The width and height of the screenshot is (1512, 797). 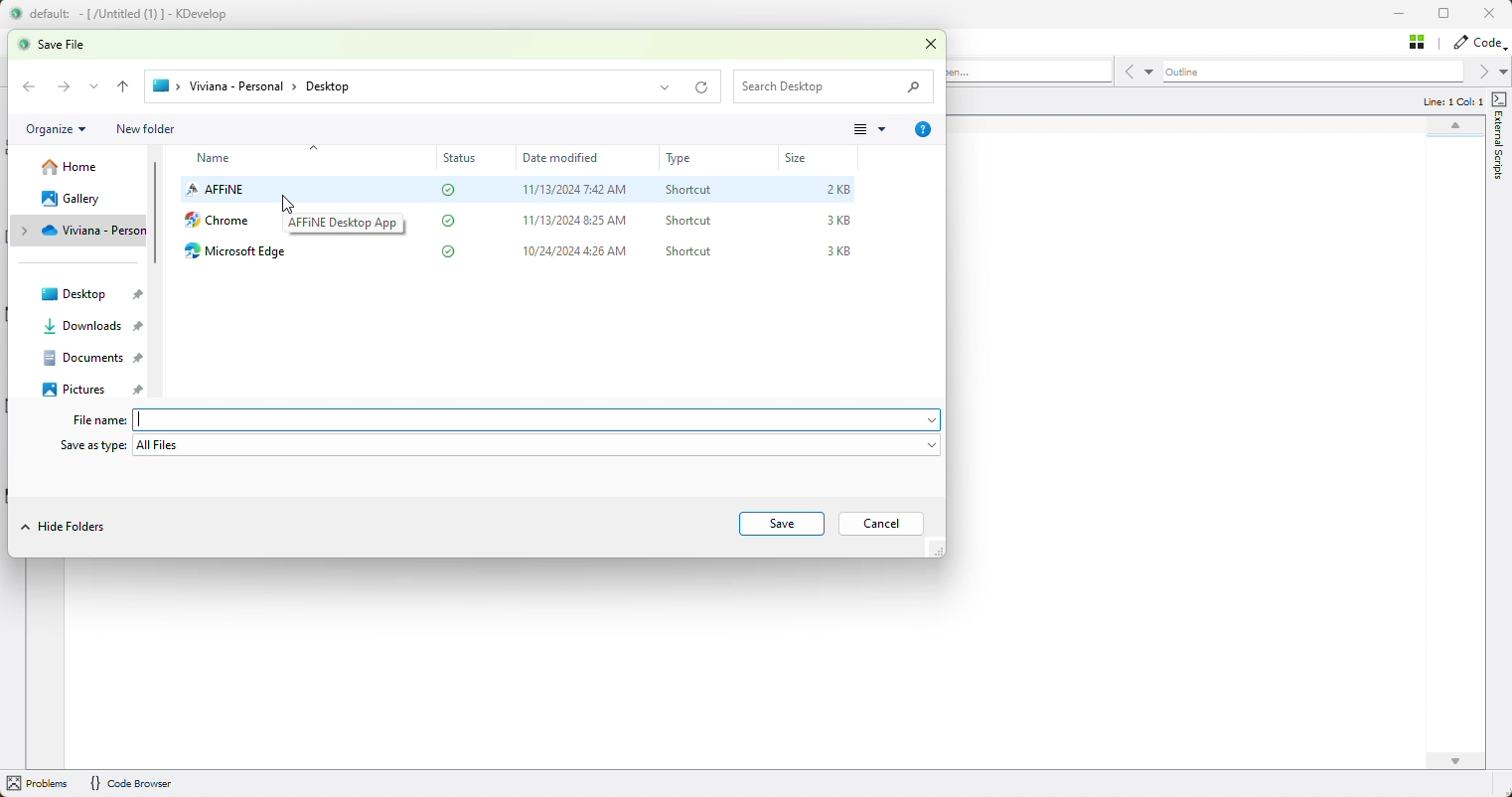 I want to click on save location, so click(x=82, y=230).